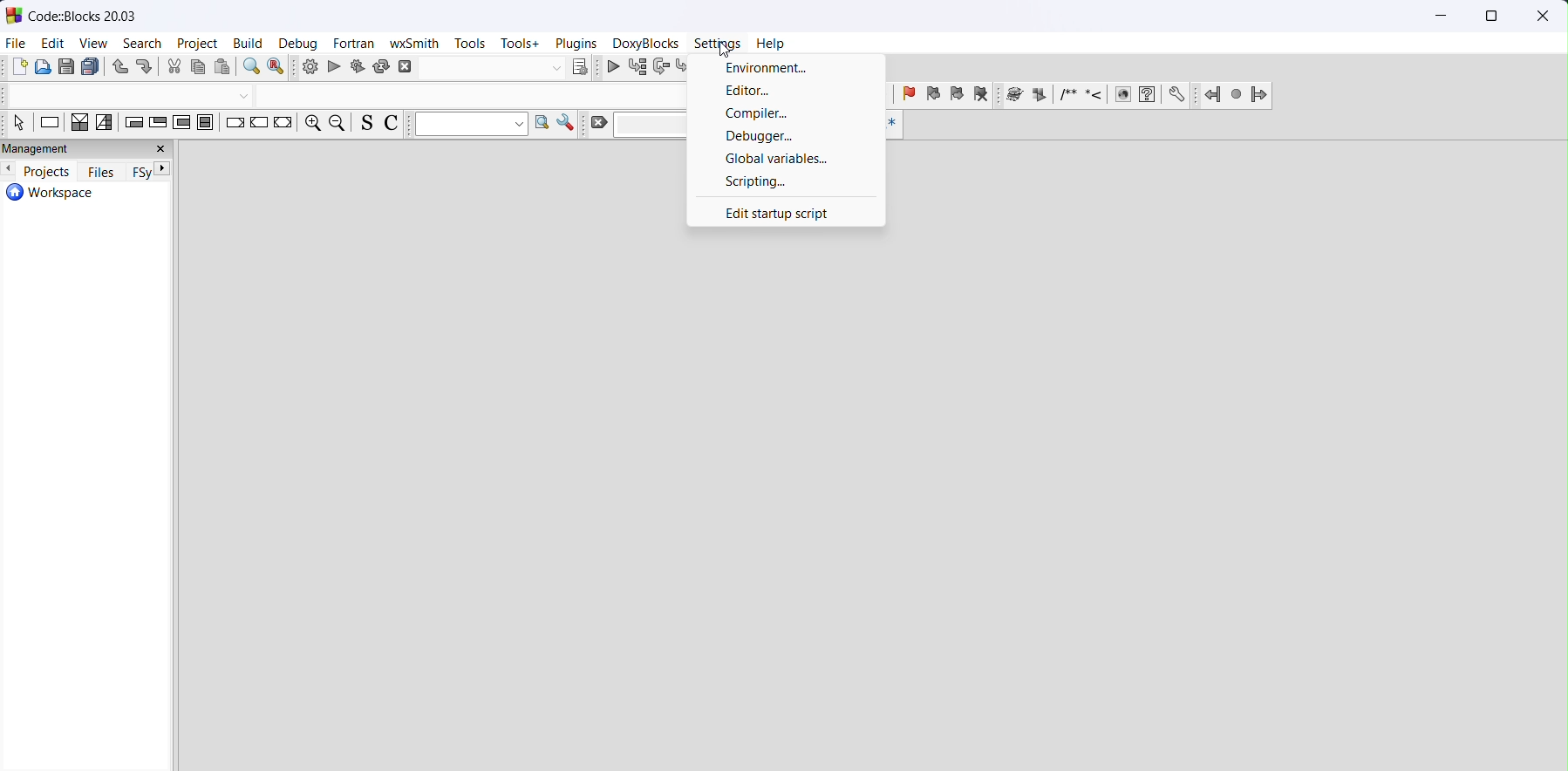 The image size is (1568, 771). What do you see at coordinates (787, 182) in the screenshot?
I see `scripting` at bounding box center [787, 182].